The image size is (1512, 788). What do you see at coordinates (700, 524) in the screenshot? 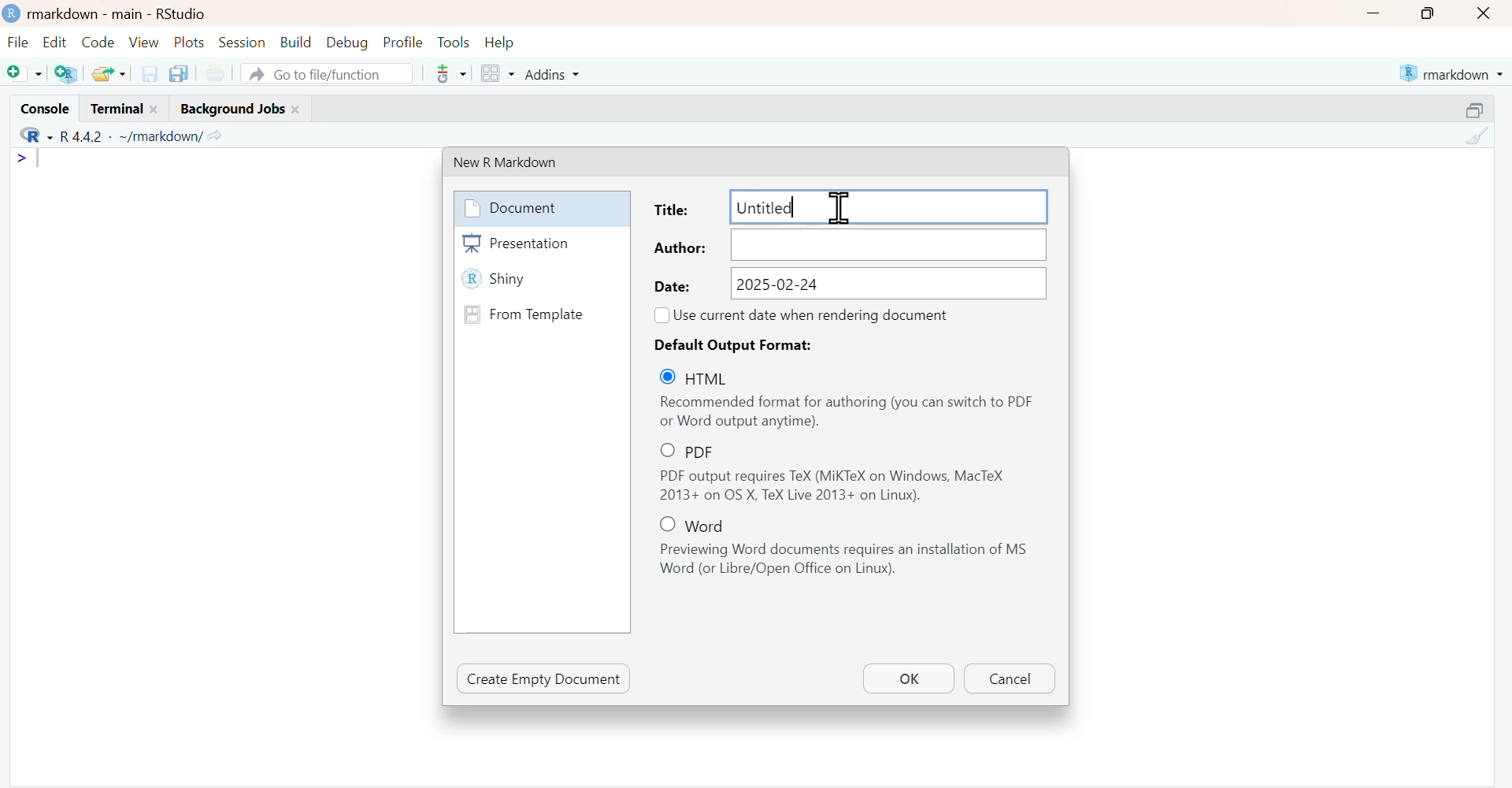
I see `word` at bounding box center [700, 524].